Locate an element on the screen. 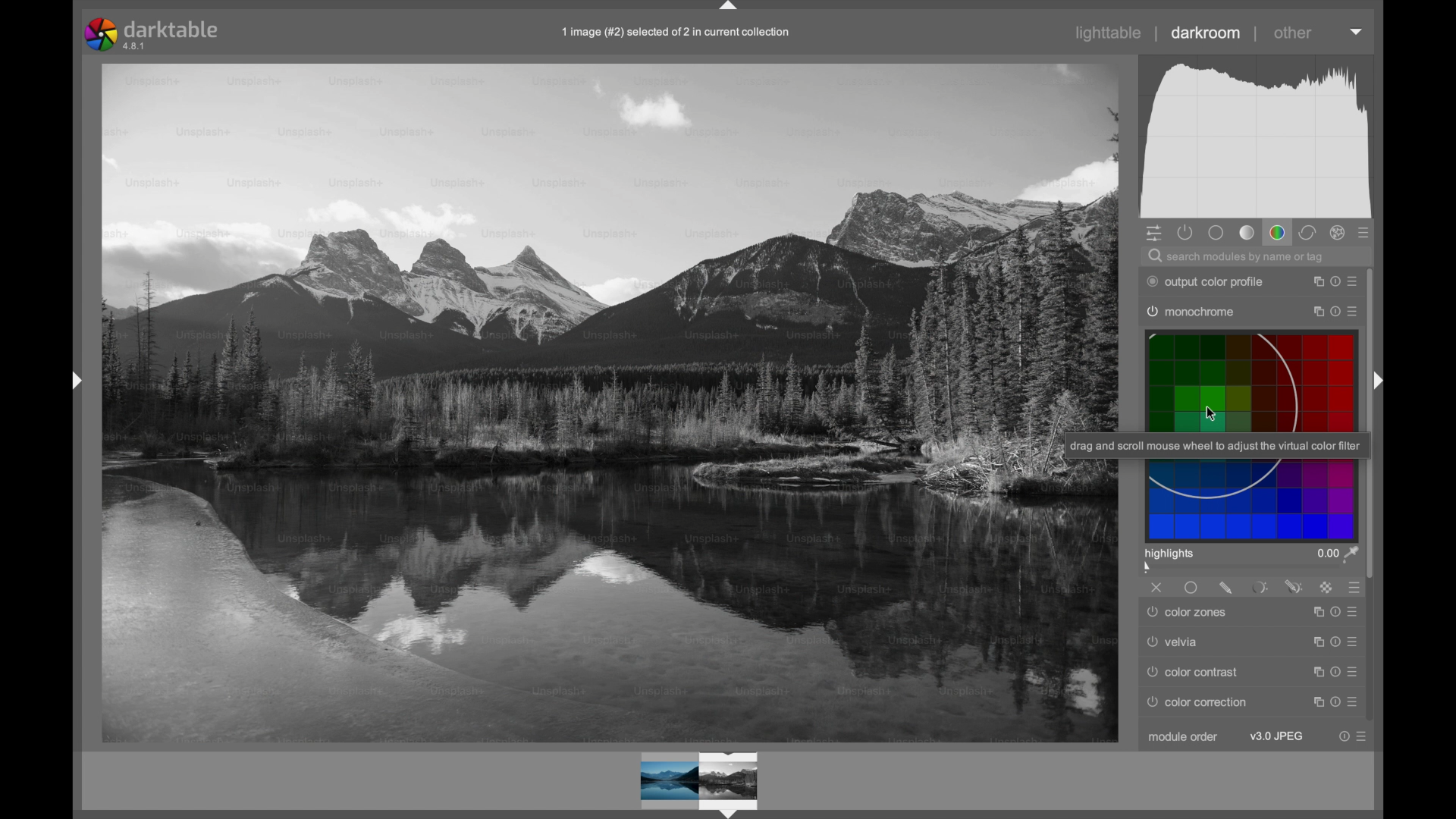  reset is located at coordinates (1342, 736).